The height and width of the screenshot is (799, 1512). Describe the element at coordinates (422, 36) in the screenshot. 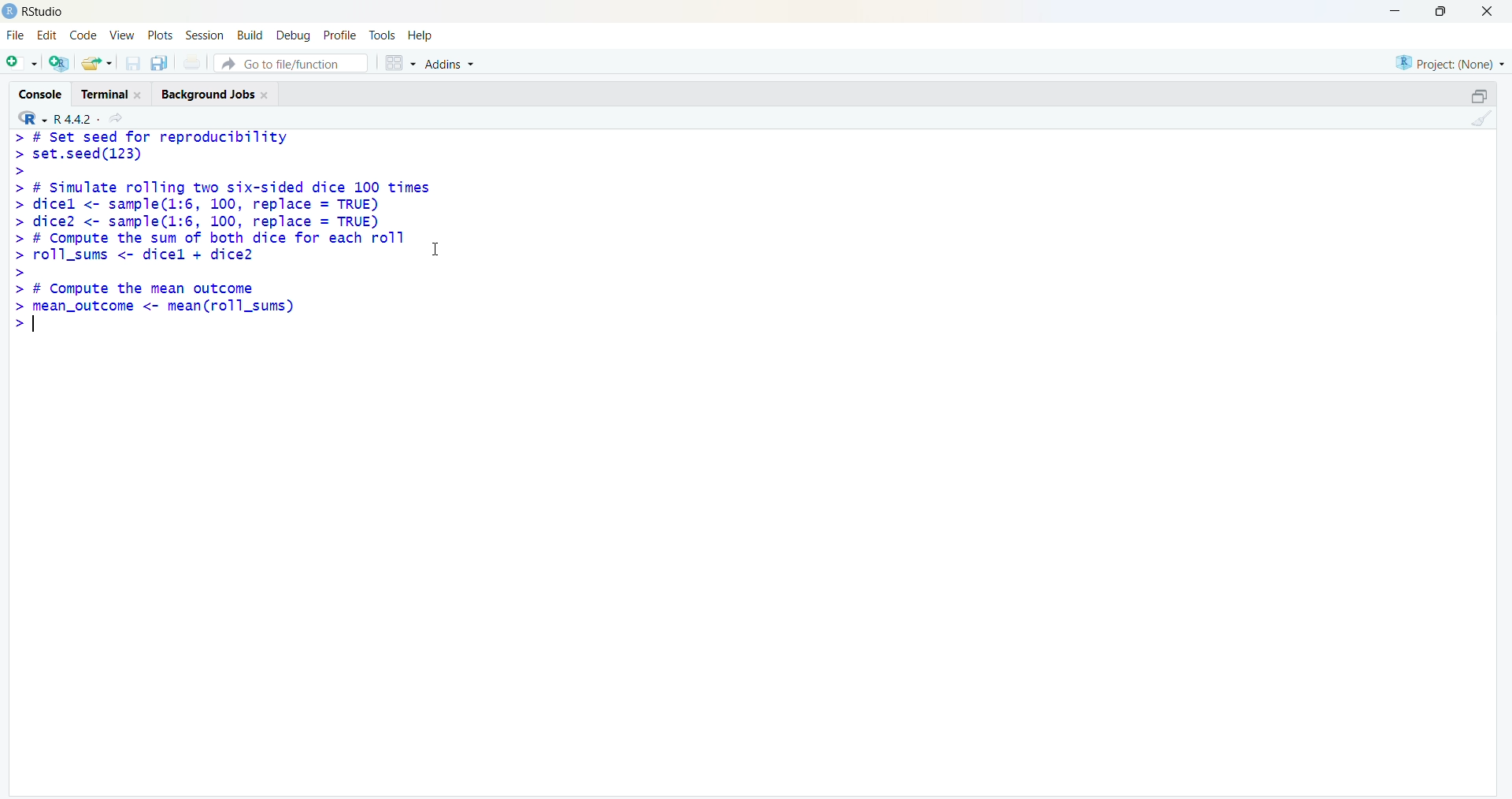

I see `help` at that location.